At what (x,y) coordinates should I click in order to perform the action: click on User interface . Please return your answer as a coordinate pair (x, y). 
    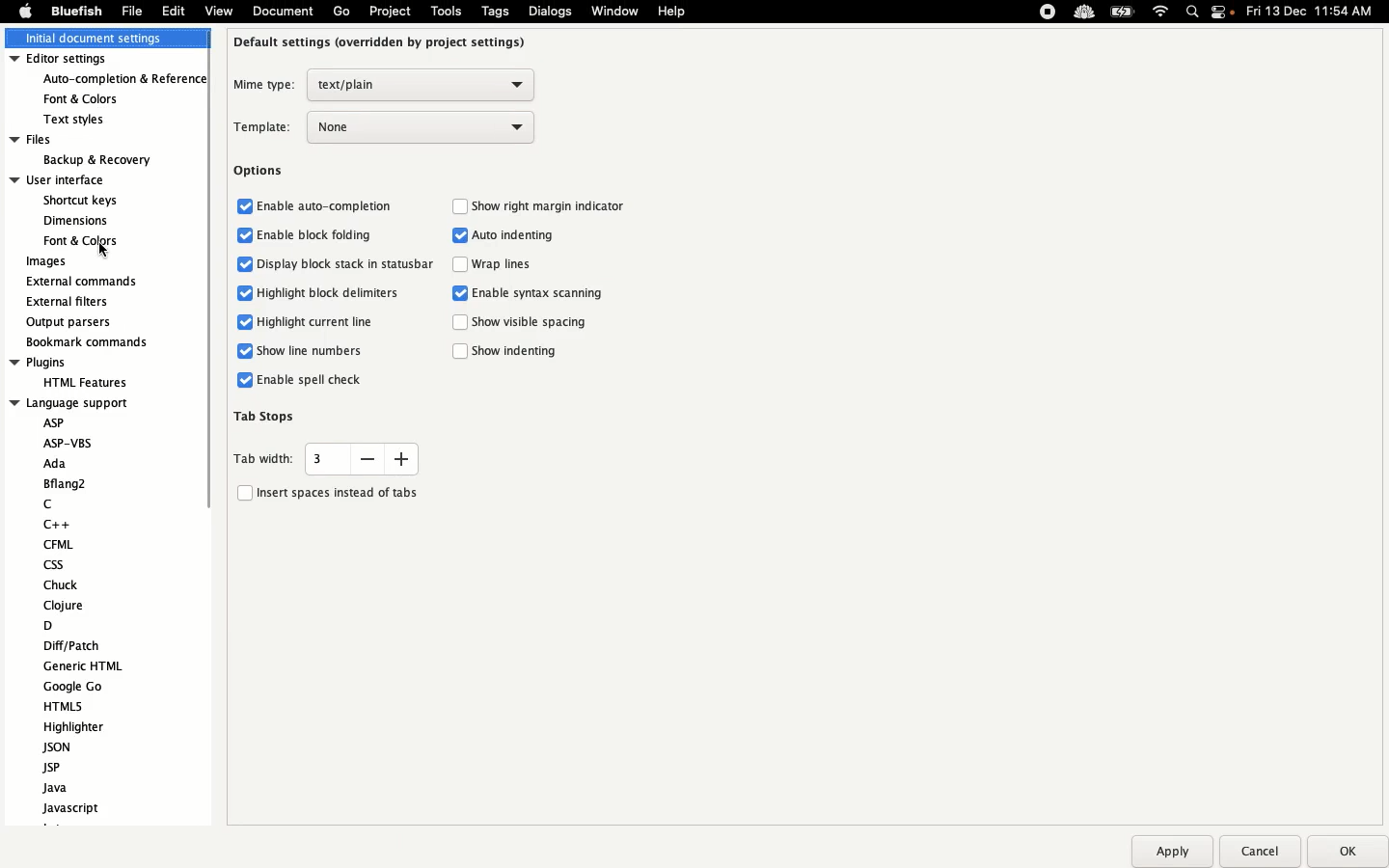
    Looking at the image, I should click on (75, 179).